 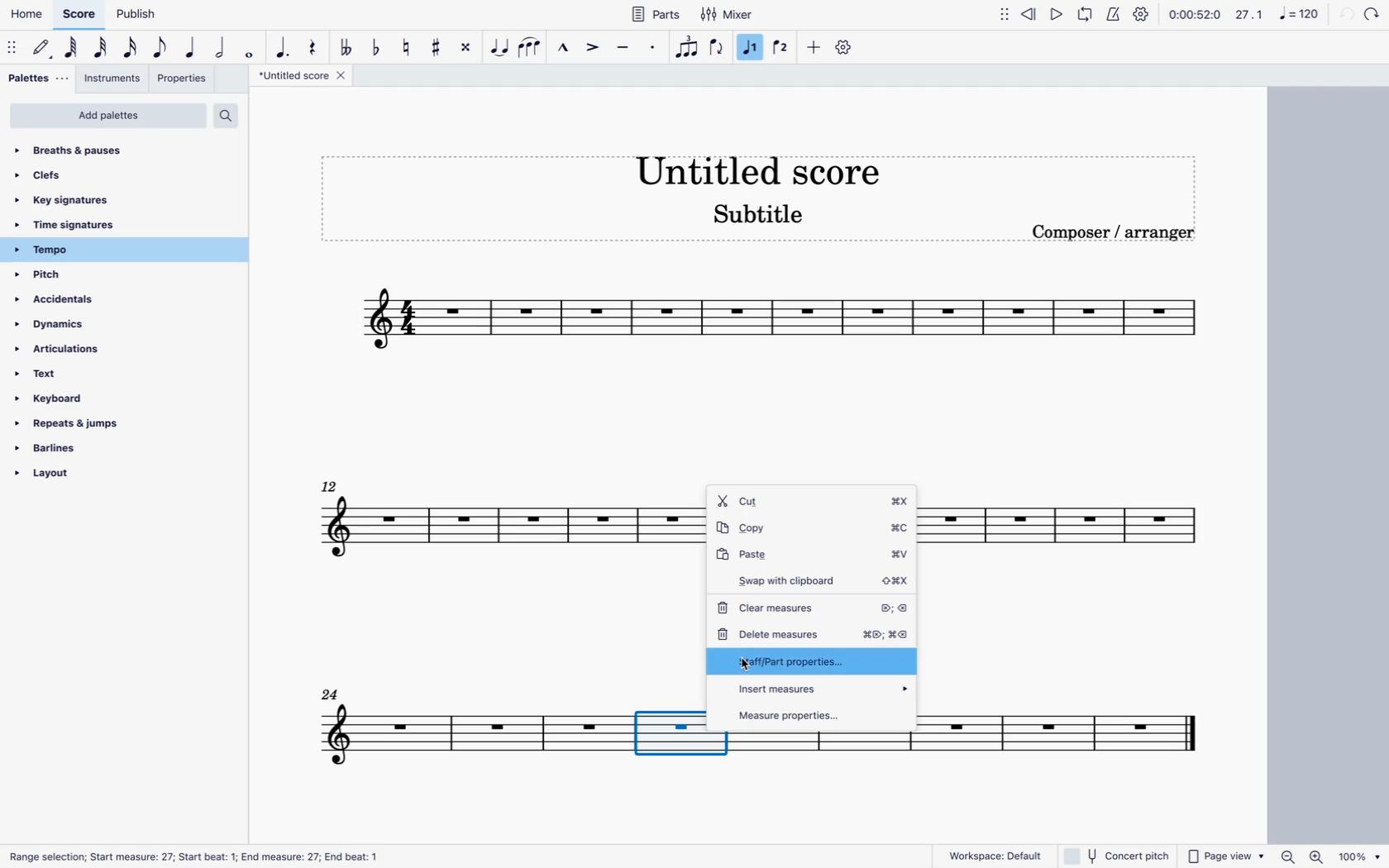 I want to click on time, so click(x=1194, y=13).